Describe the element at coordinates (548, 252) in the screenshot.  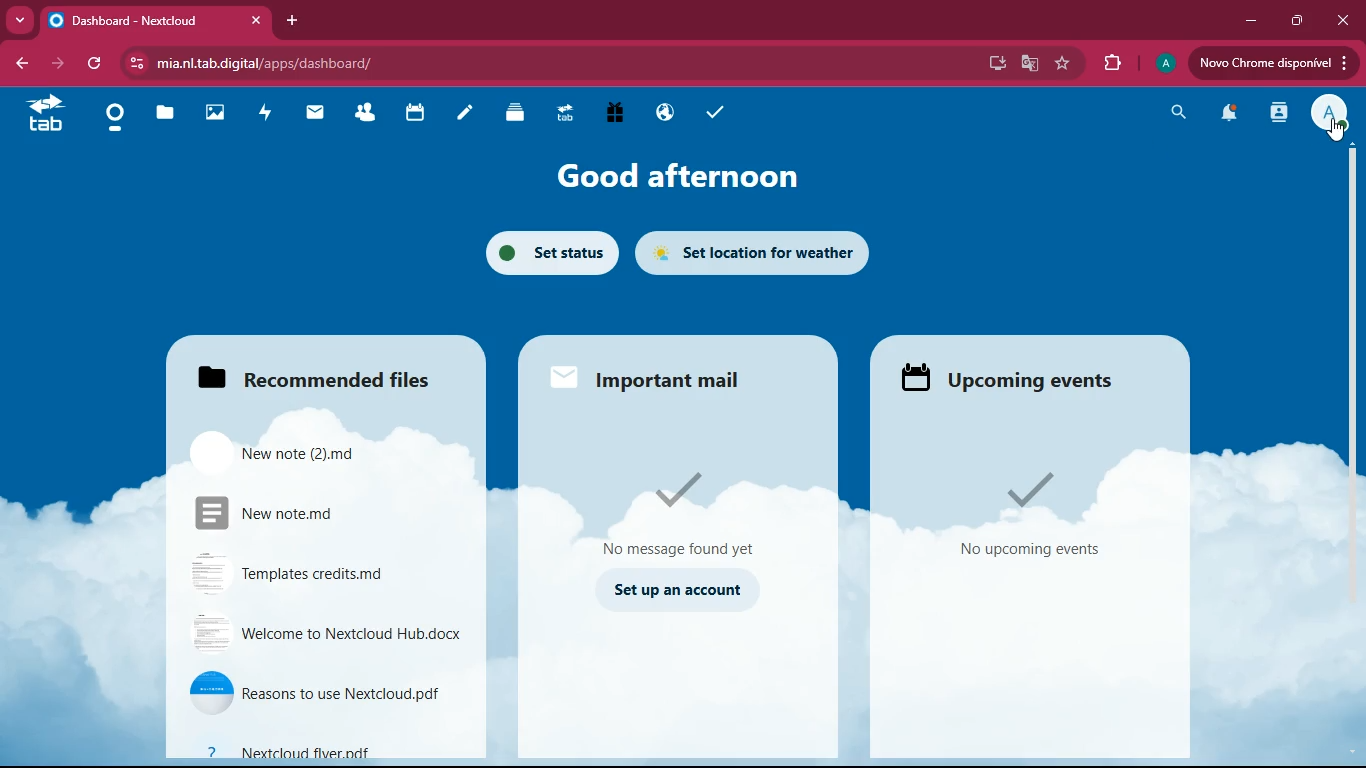
I see `set status` at that location.